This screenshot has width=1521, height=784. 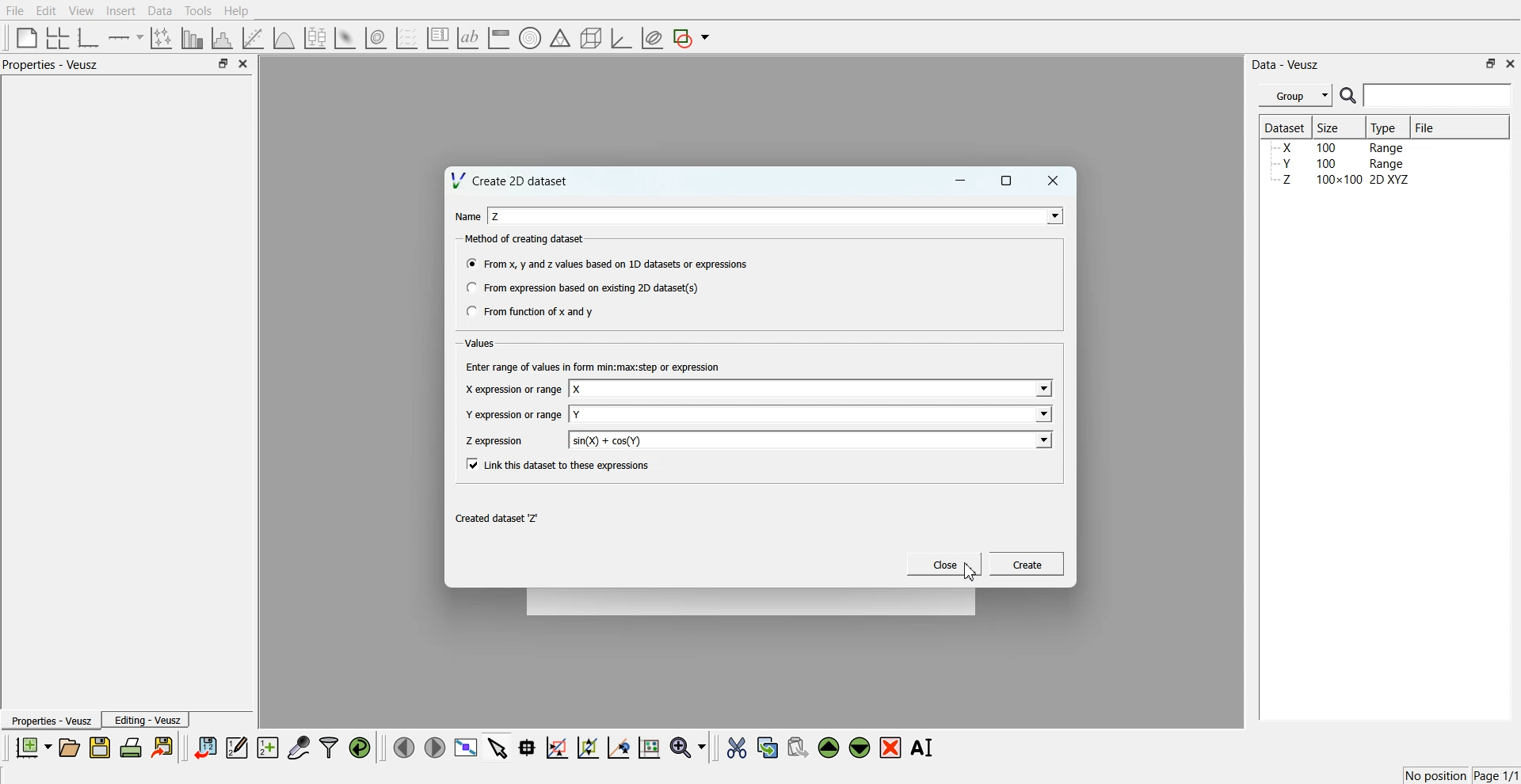 What do you see at coordinates (511, 180) in the screenshot?
I see `V/ Create 2D dataset` at bounding box center [511, 180].